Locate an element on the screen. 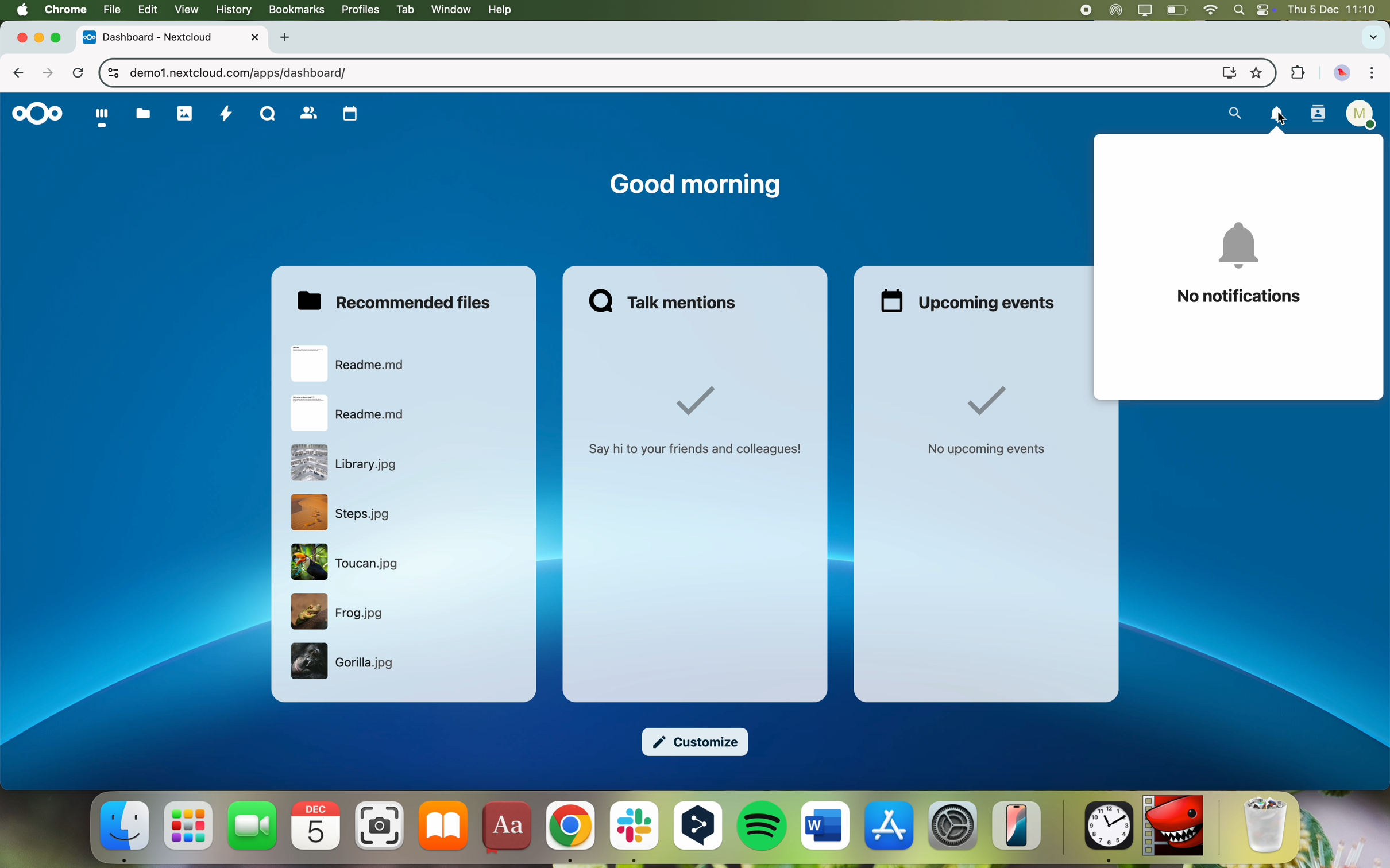 Image resolution: width=1390 pixels, height=868 pixels. calendar is located at coordinates (318, 826).